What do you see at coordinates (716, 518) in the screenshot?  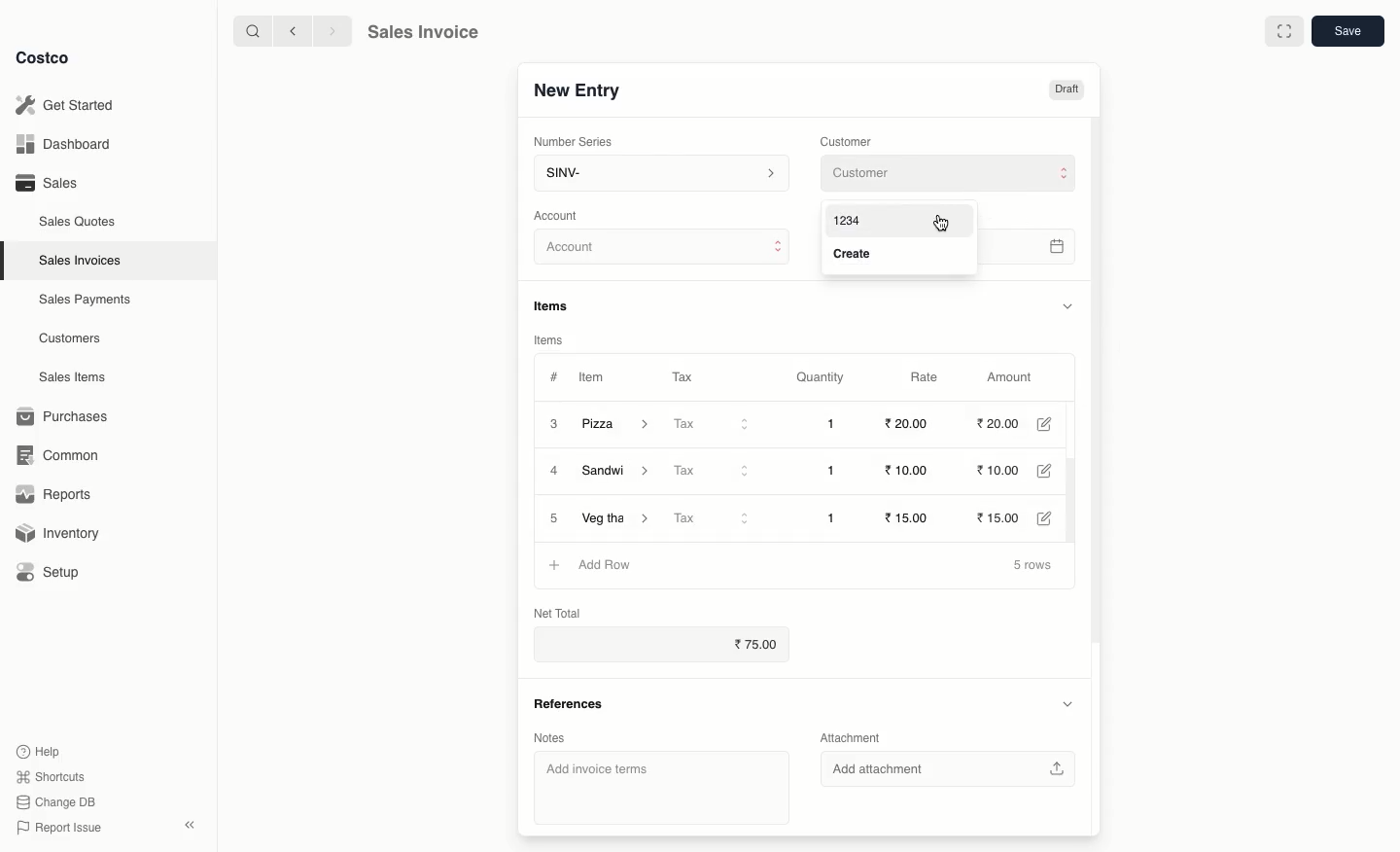 I see `Tax` at bounding box center [716, 518].